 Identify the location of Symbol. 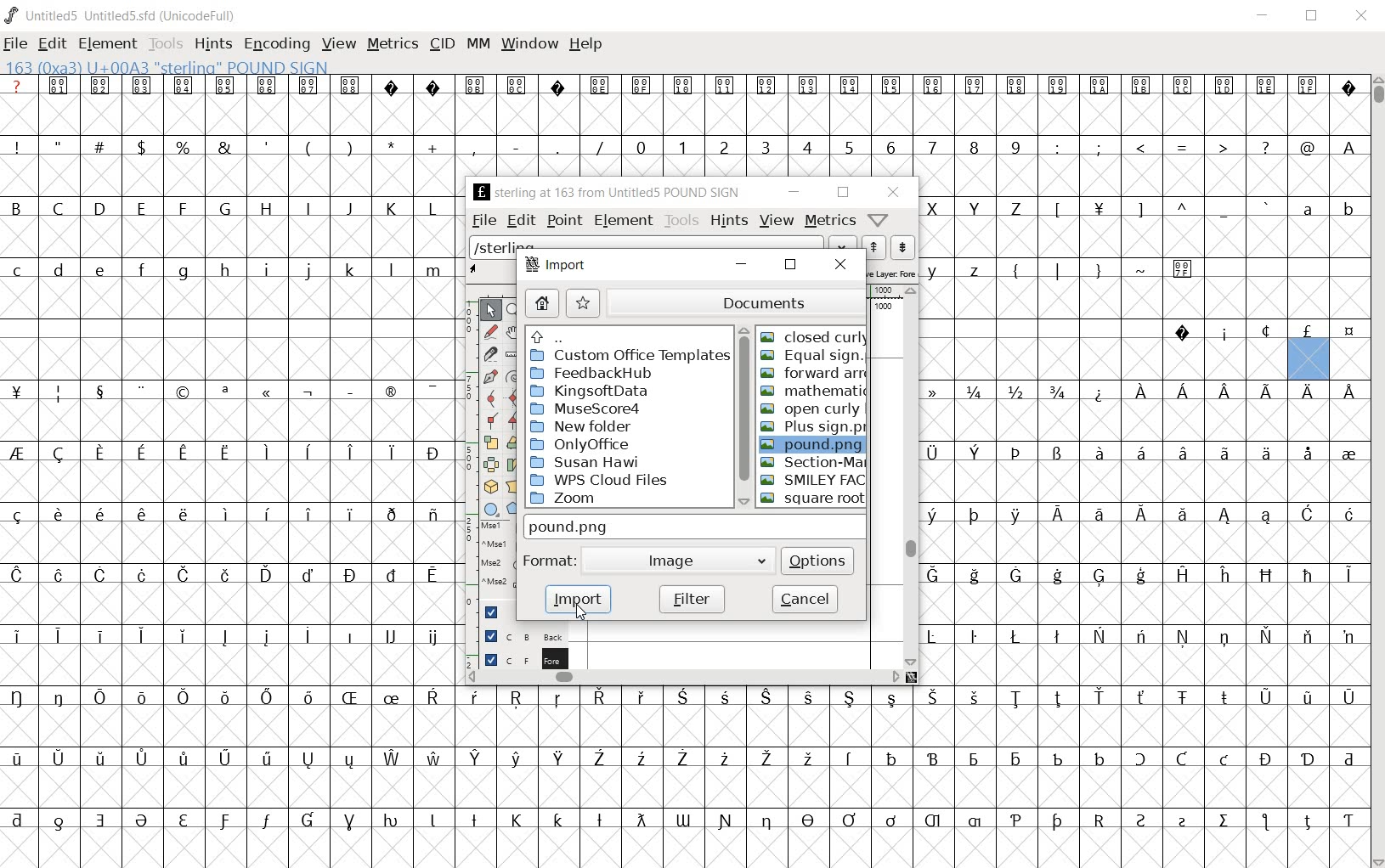
(184, 637).